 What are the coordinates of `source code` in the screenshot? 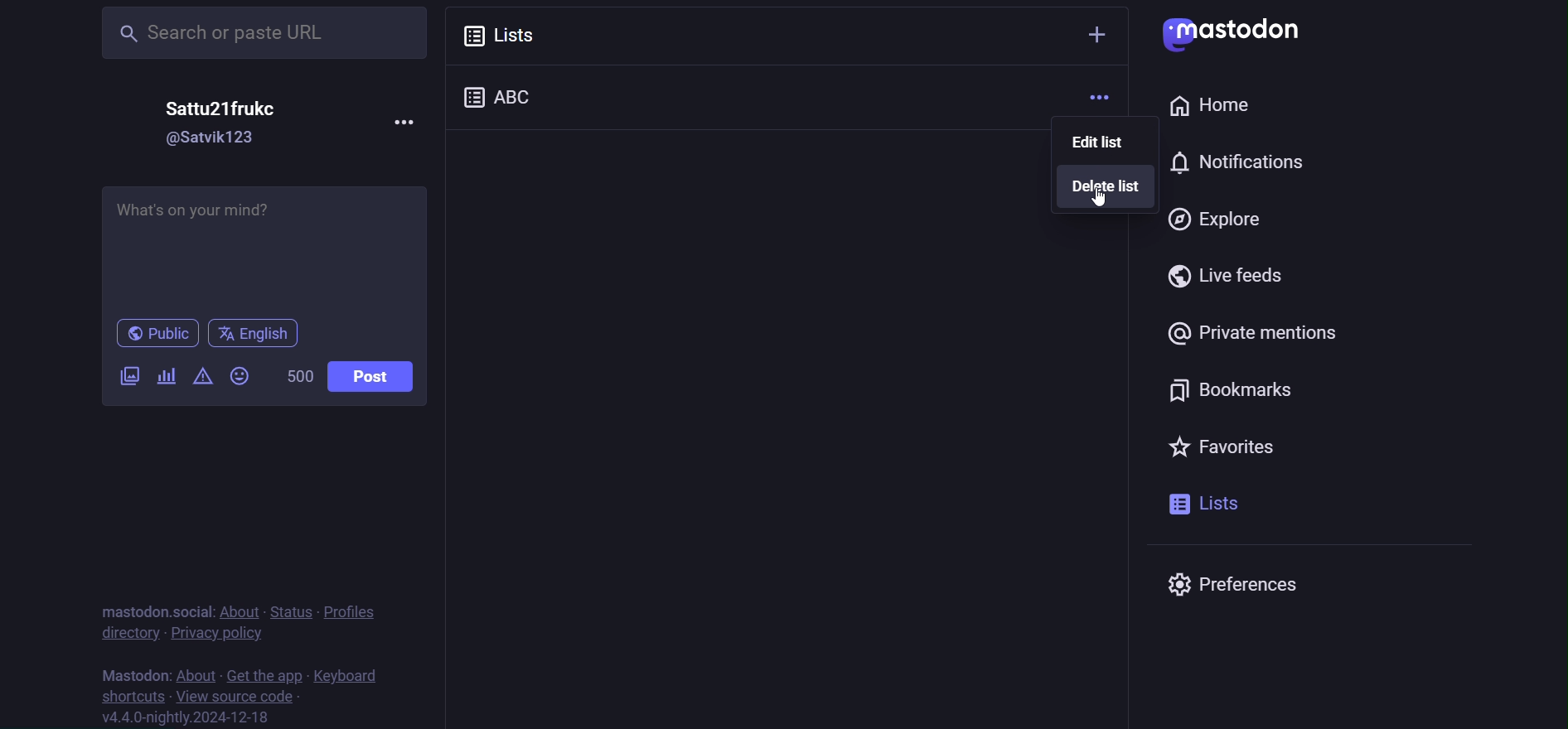 It's located at (236, 695).